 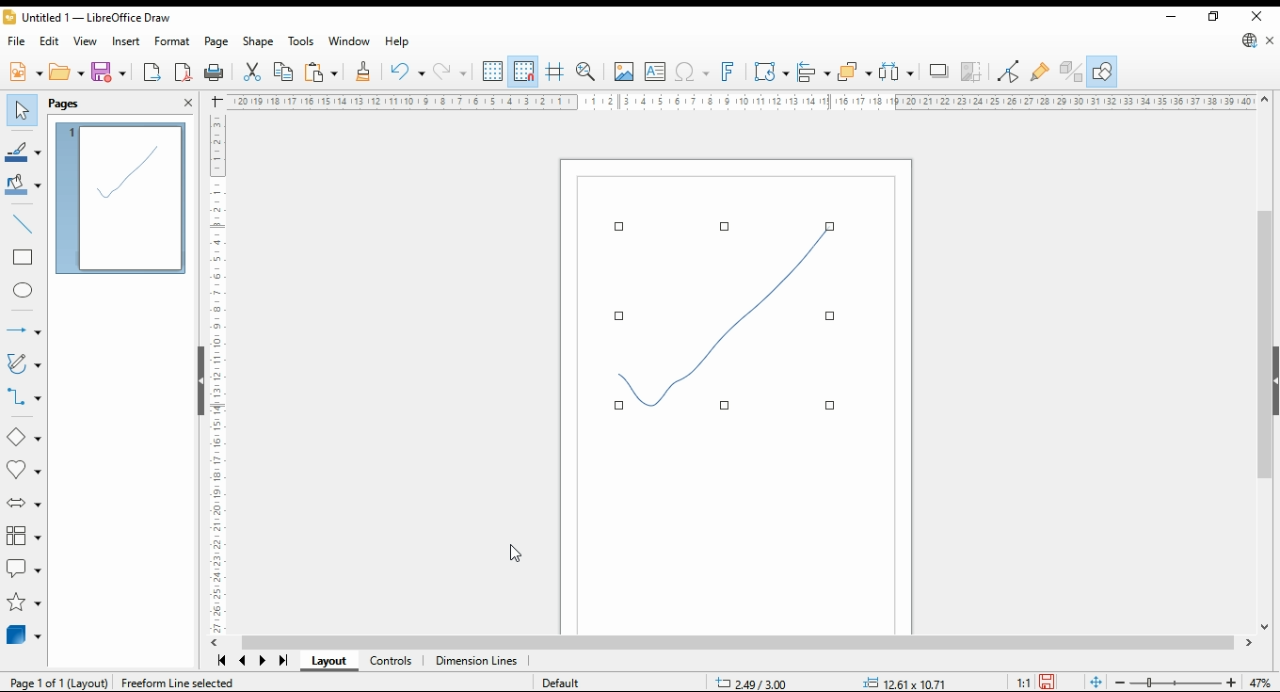 What do you see at coordinates (210, 375) in the screenshot?
I see `ruler` at bounding box center [210, 375].